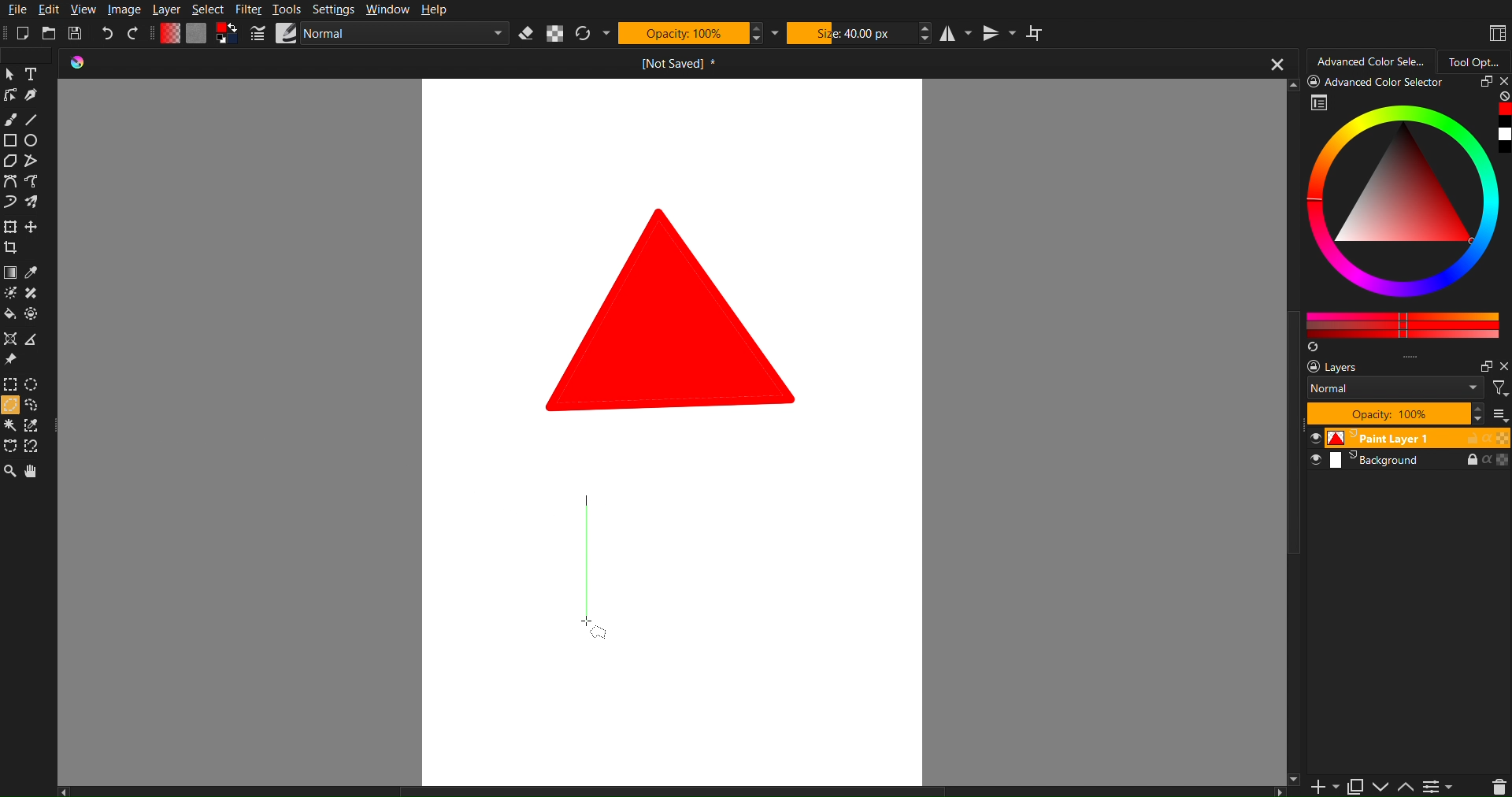 This screenshot has height=797, width=1512. Describe the element at coordinates (9, 428) in the screenshot. I see `wind` at that location.